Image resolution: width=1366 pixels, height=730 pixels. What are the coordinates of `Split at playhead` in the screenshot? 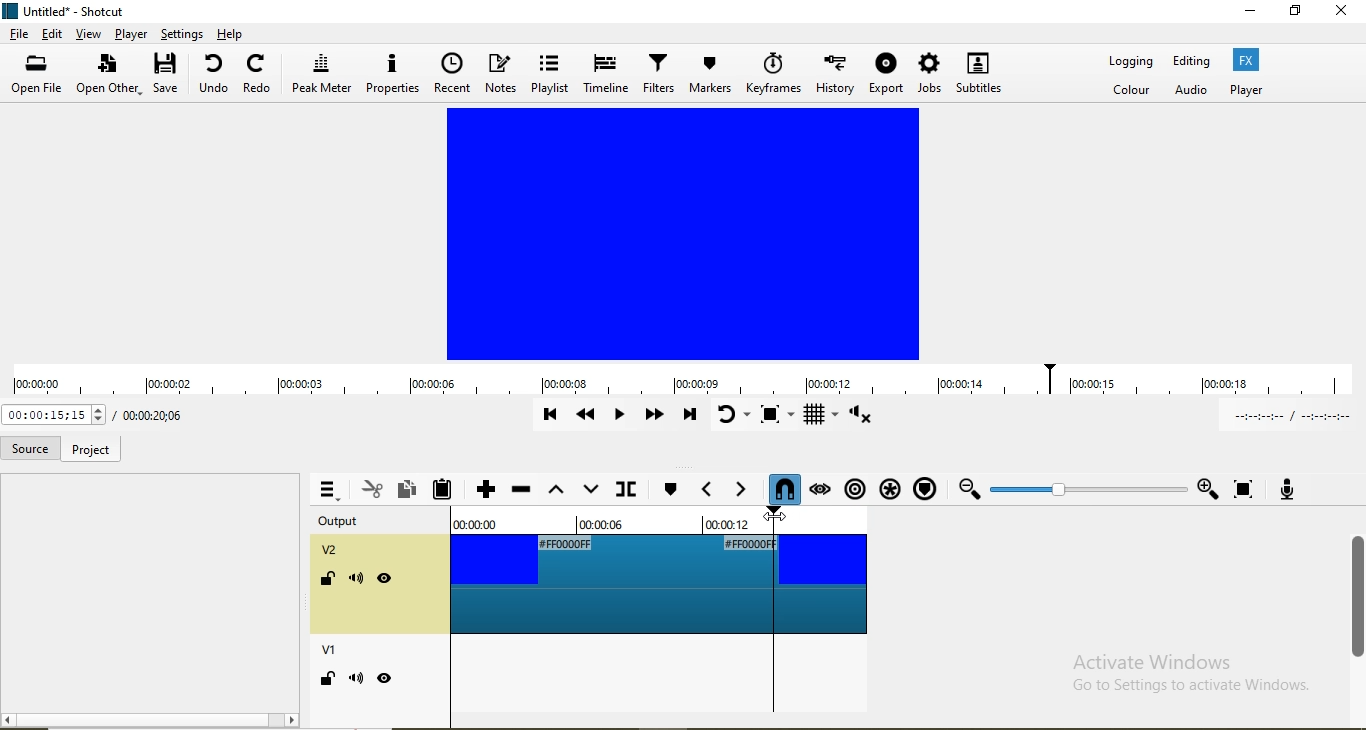 It's located at (624, 492).